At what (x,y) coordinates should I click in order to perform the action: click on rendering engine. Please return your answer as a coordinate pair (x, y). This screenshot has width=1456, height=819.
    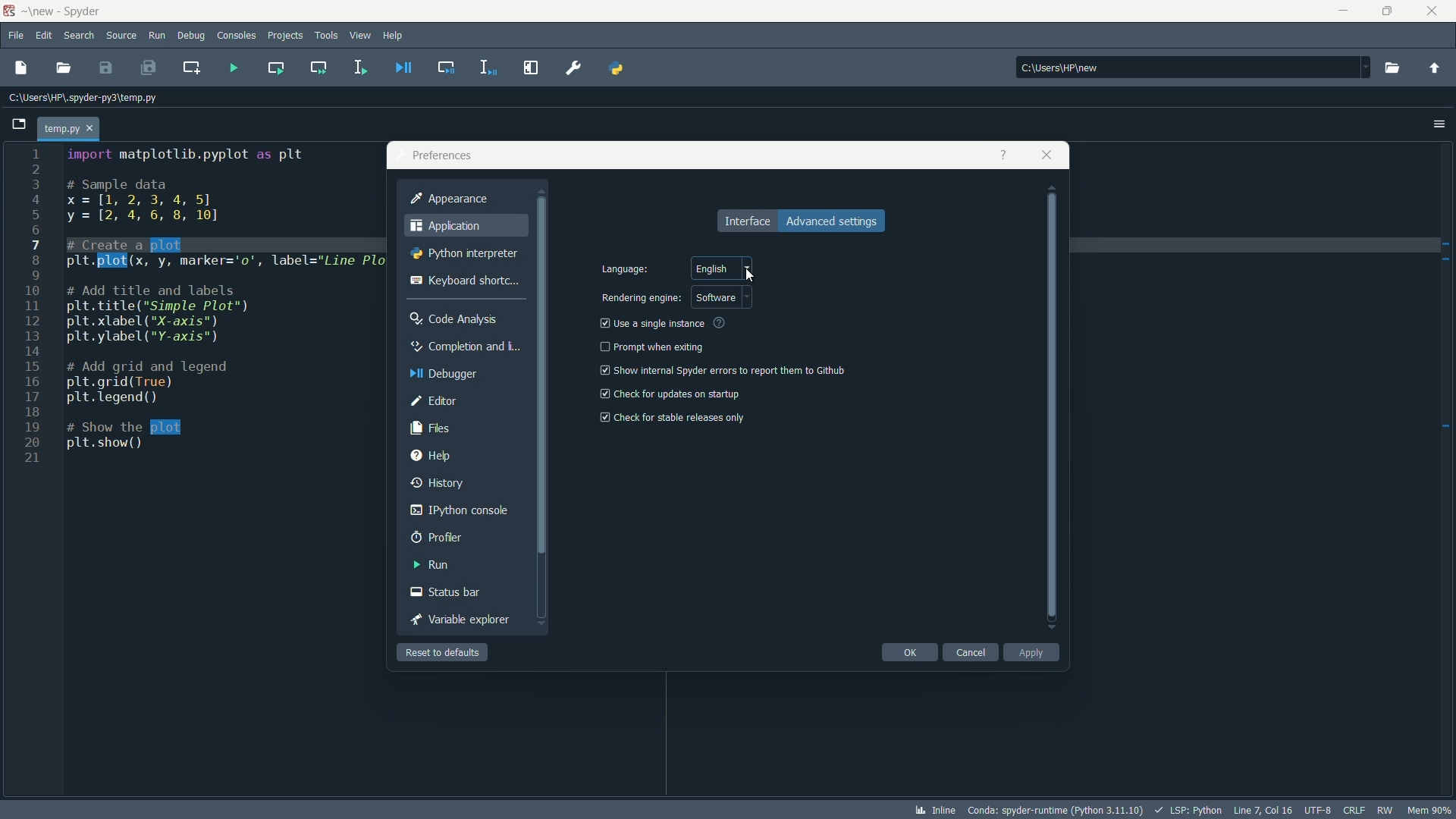
    Looking at the image, I should click on (640, 298).